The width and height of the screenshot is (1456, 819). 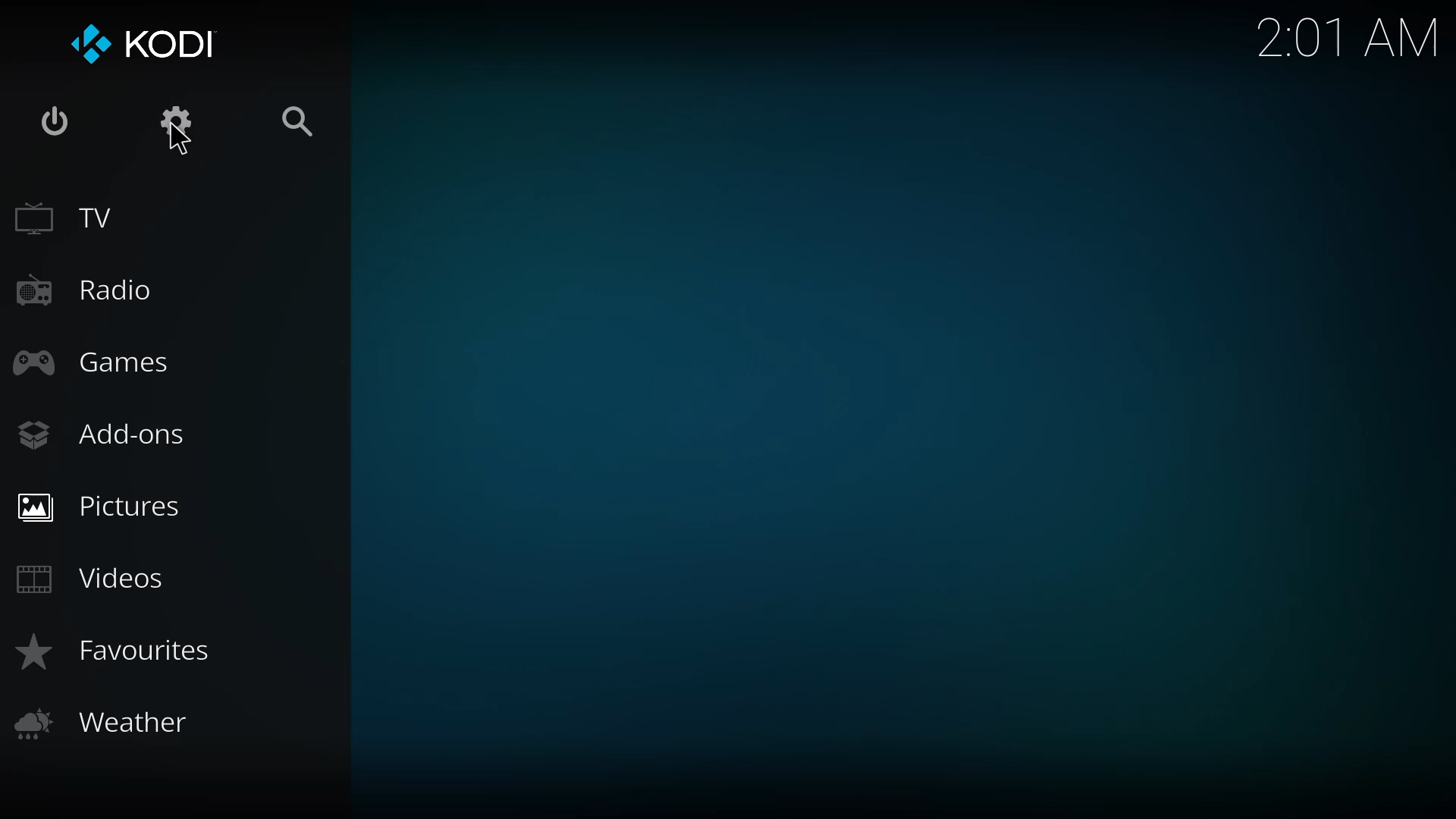 I want to click on tv, so click(x=74, y=216).